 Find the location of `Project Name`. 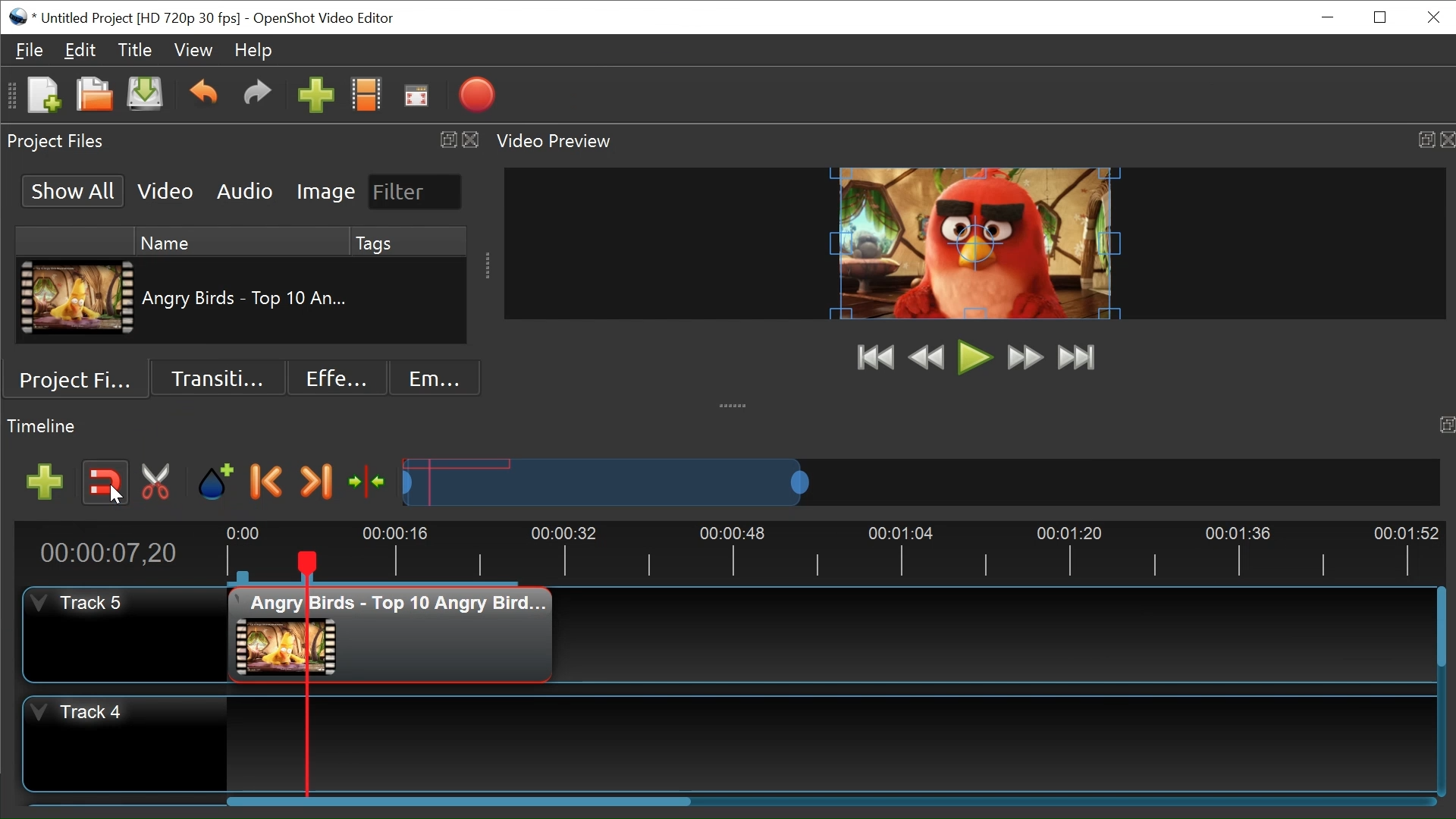

Project Name is located at coordinates (140, 17).